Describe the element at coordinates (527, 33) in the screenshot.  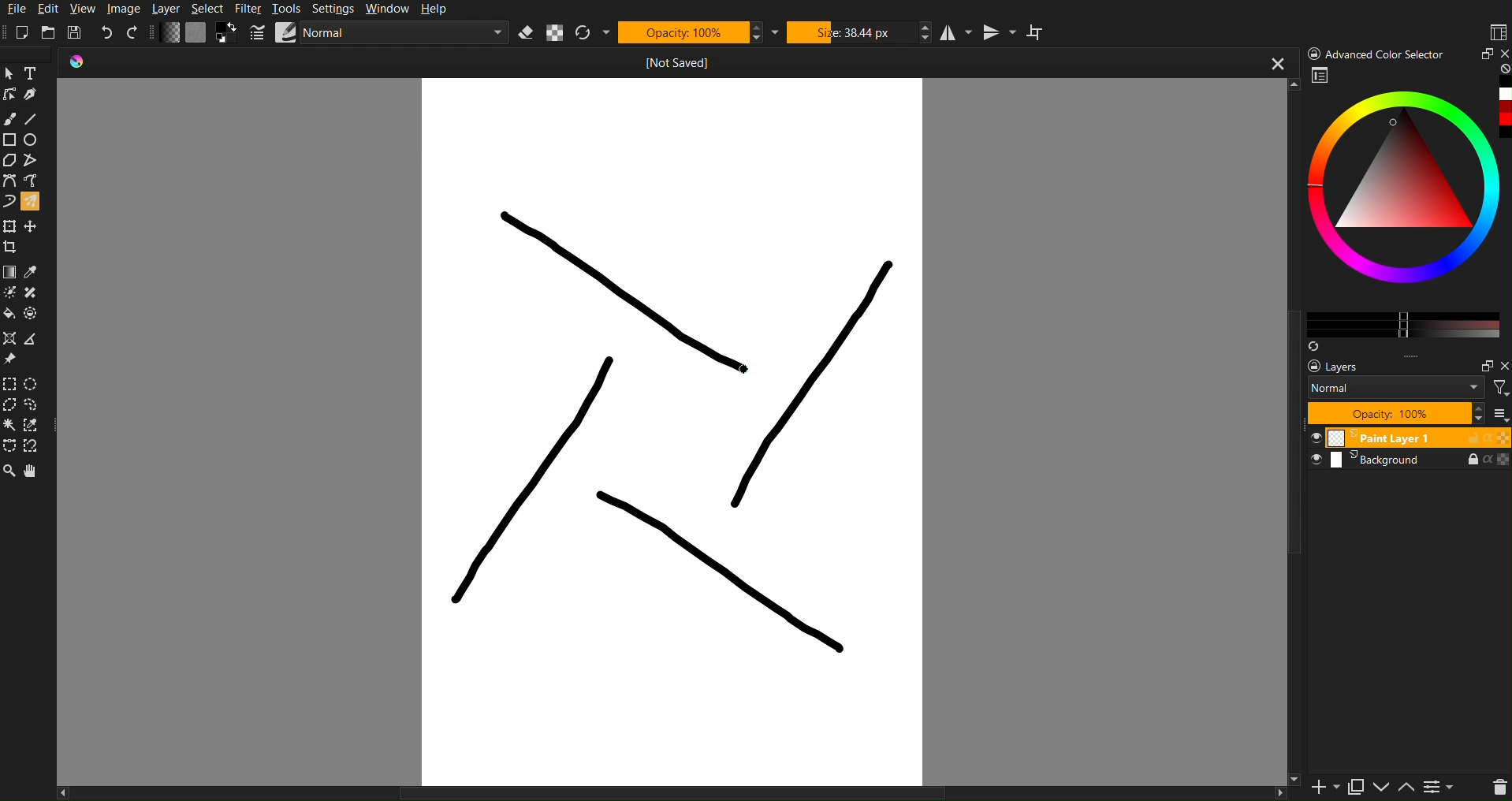
I see `Erase` at that location.